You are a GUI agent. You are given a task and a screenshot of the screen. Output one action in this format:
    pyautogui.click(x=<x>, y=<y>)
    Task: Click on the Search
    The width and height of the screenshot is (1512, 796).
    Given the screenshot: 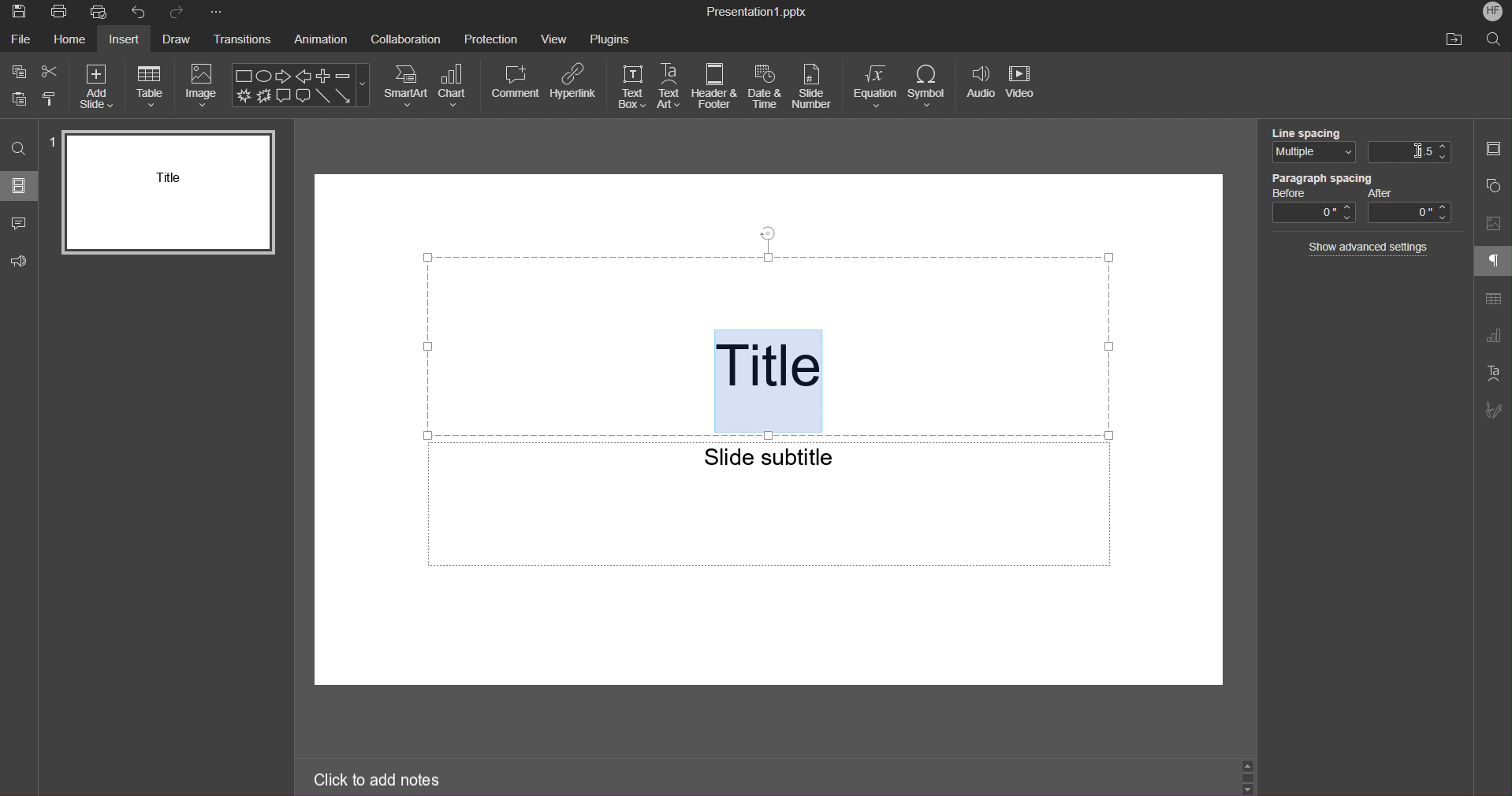 What is the action you would take?
    pyautogui.click(x=20, y=149)
    